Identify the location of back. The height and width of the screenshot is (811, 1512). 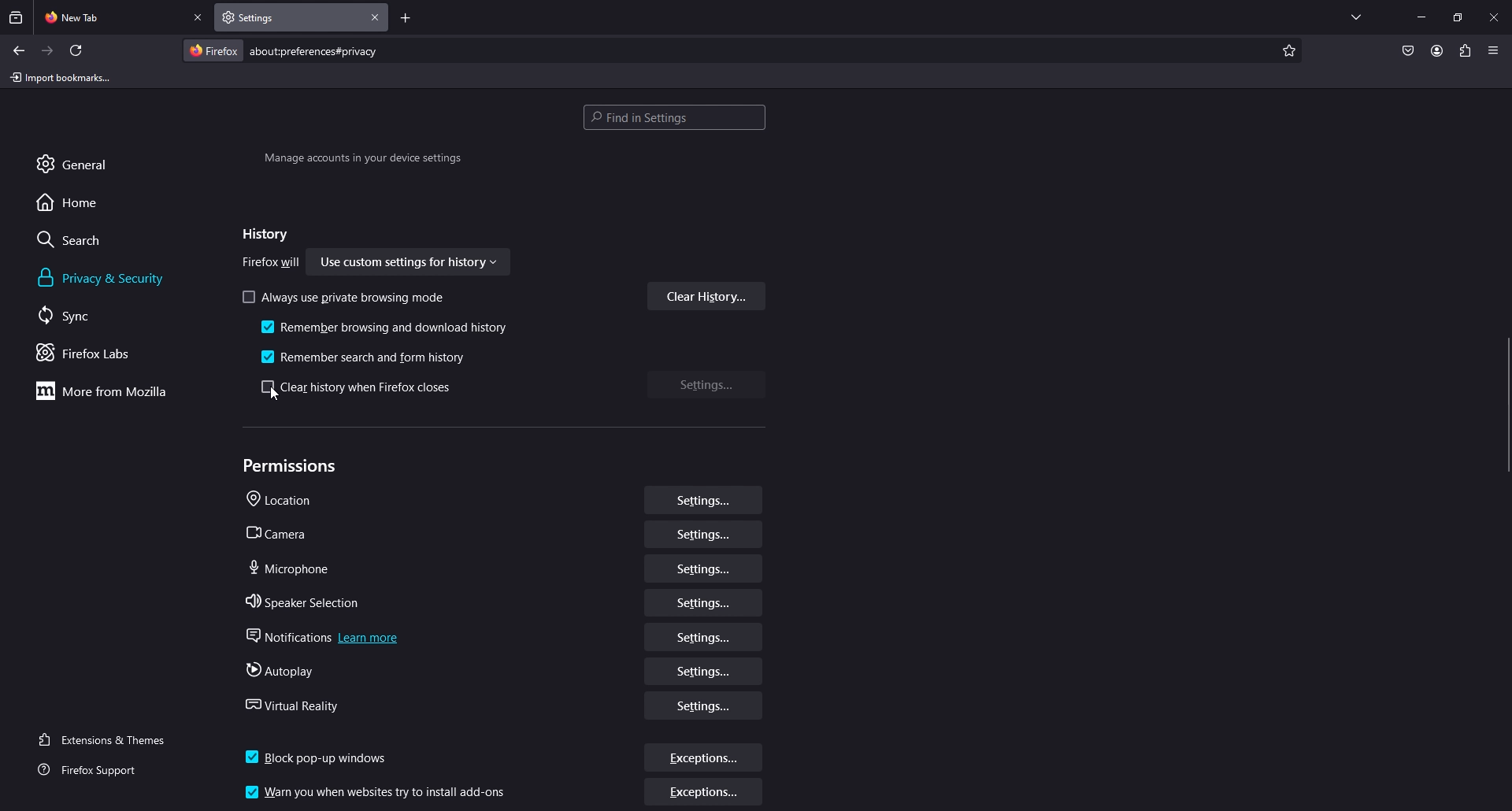
(18, 50).